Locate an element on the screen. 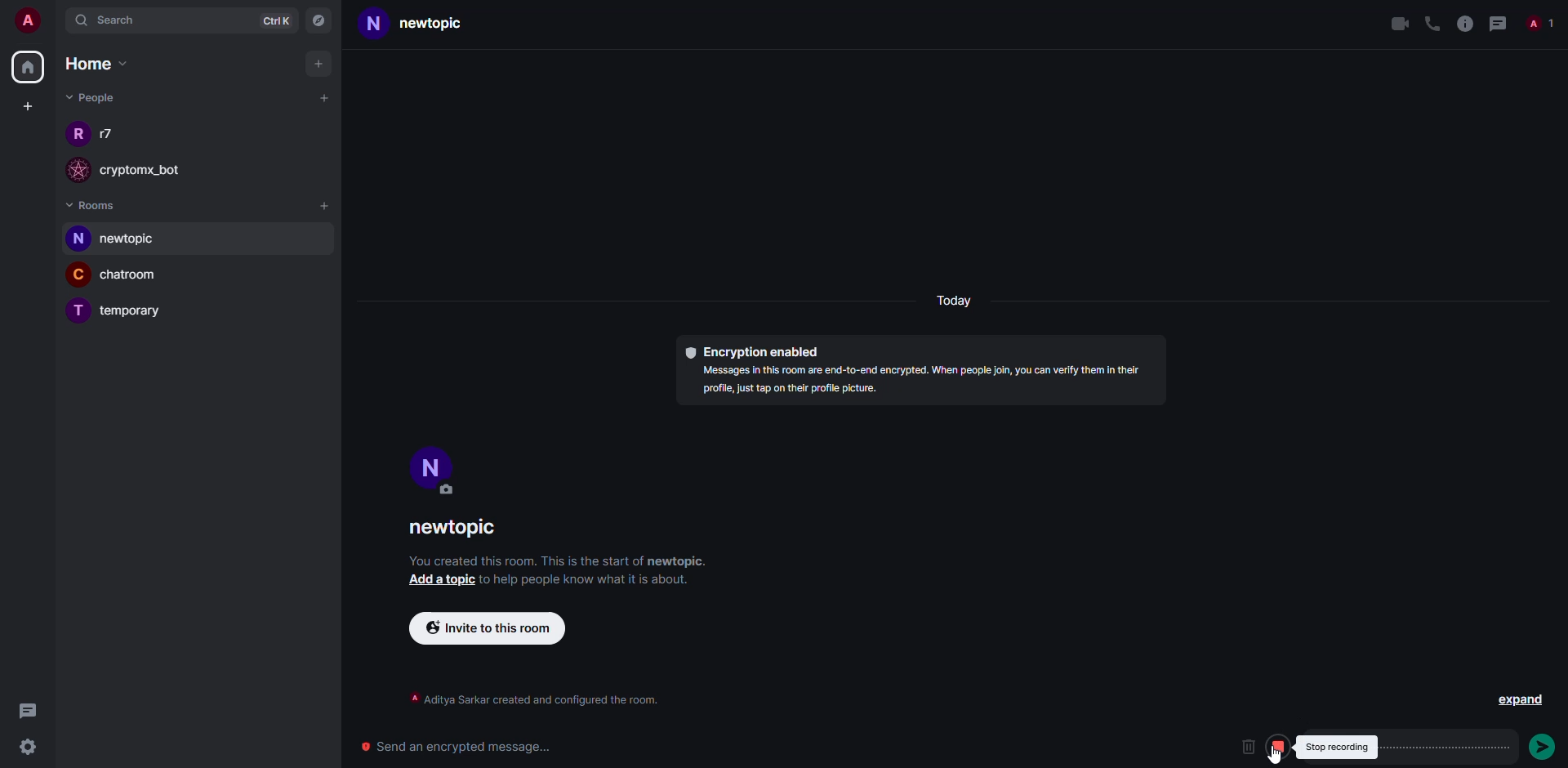 The image size is (1568, 768). invite is located at coordinates (491, 627).